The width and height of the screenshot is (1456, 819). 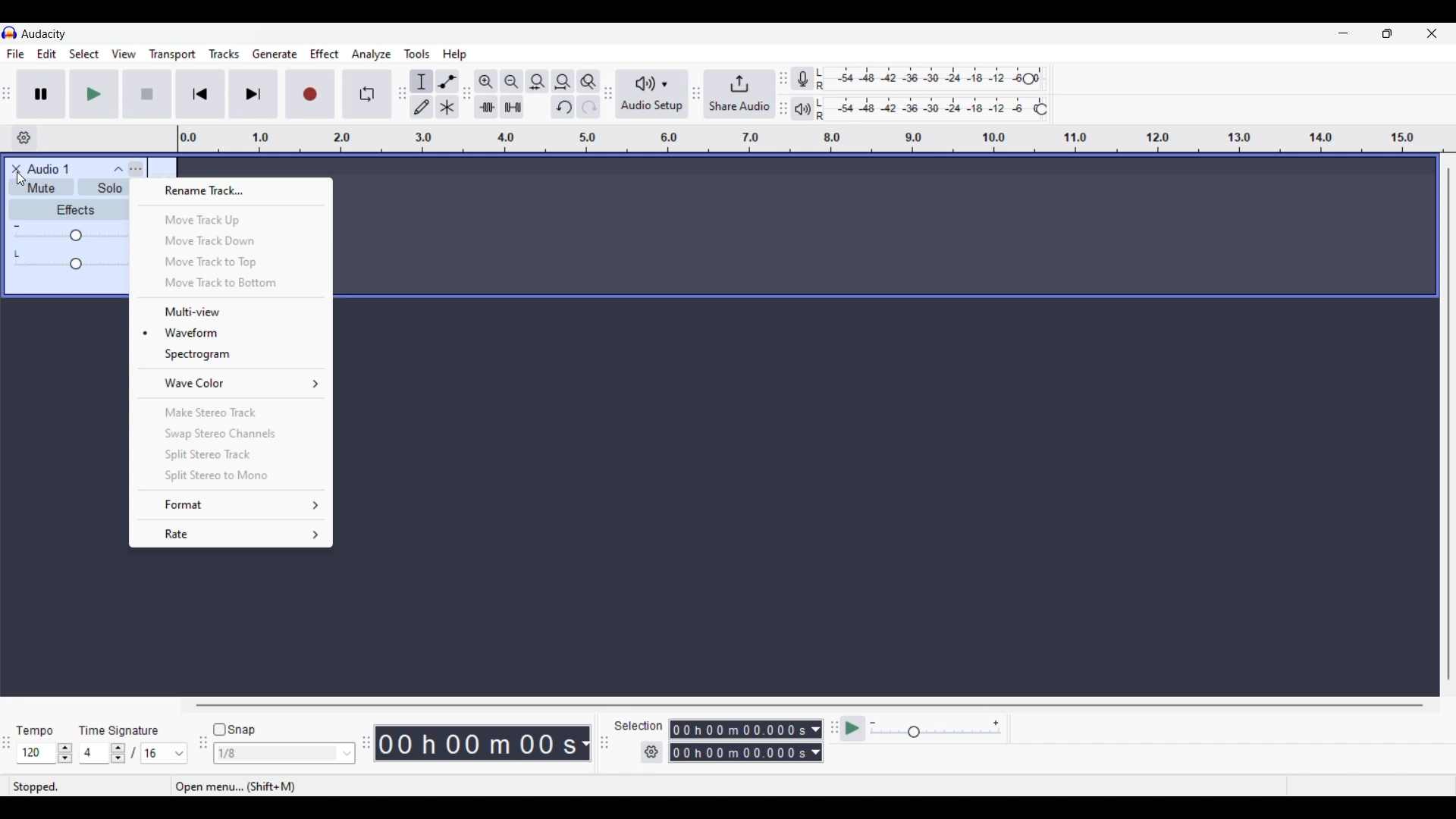 I want to click on Snap options to choose from, so click(x=348, y=754).